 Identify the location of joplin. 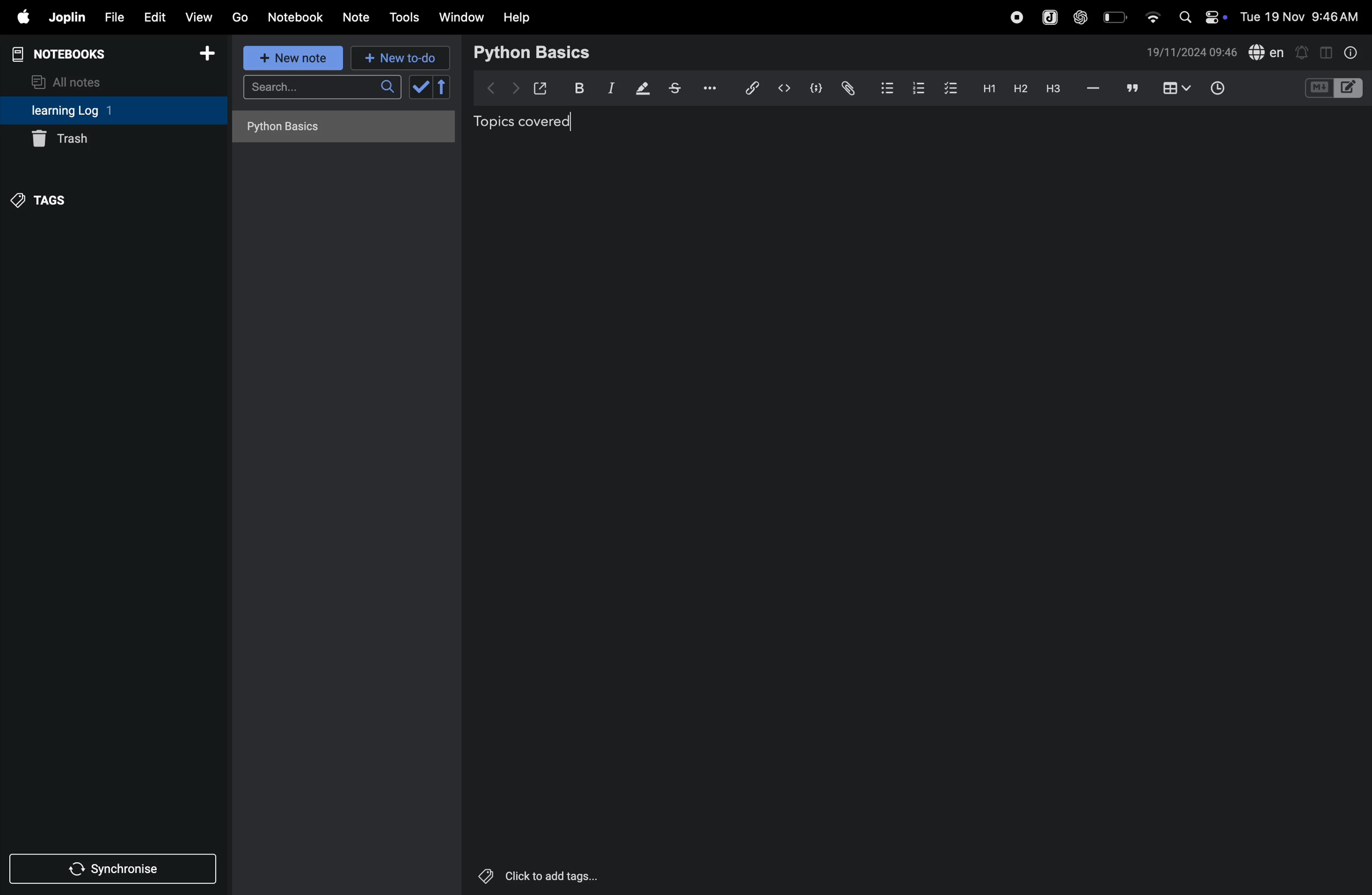
(66, 17).